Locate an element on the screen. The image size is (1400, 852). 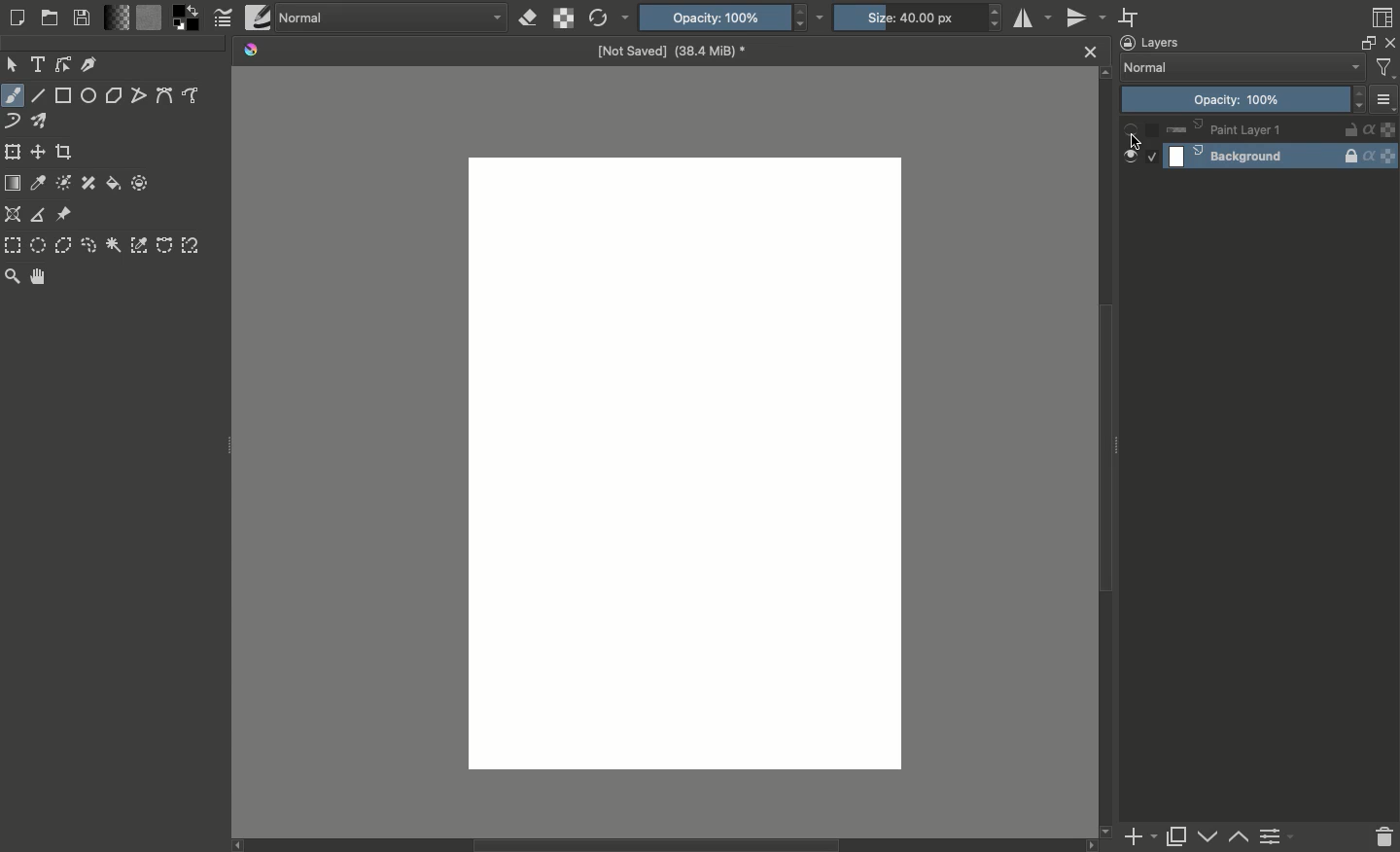
Select is located at coordinates (1153, 156).